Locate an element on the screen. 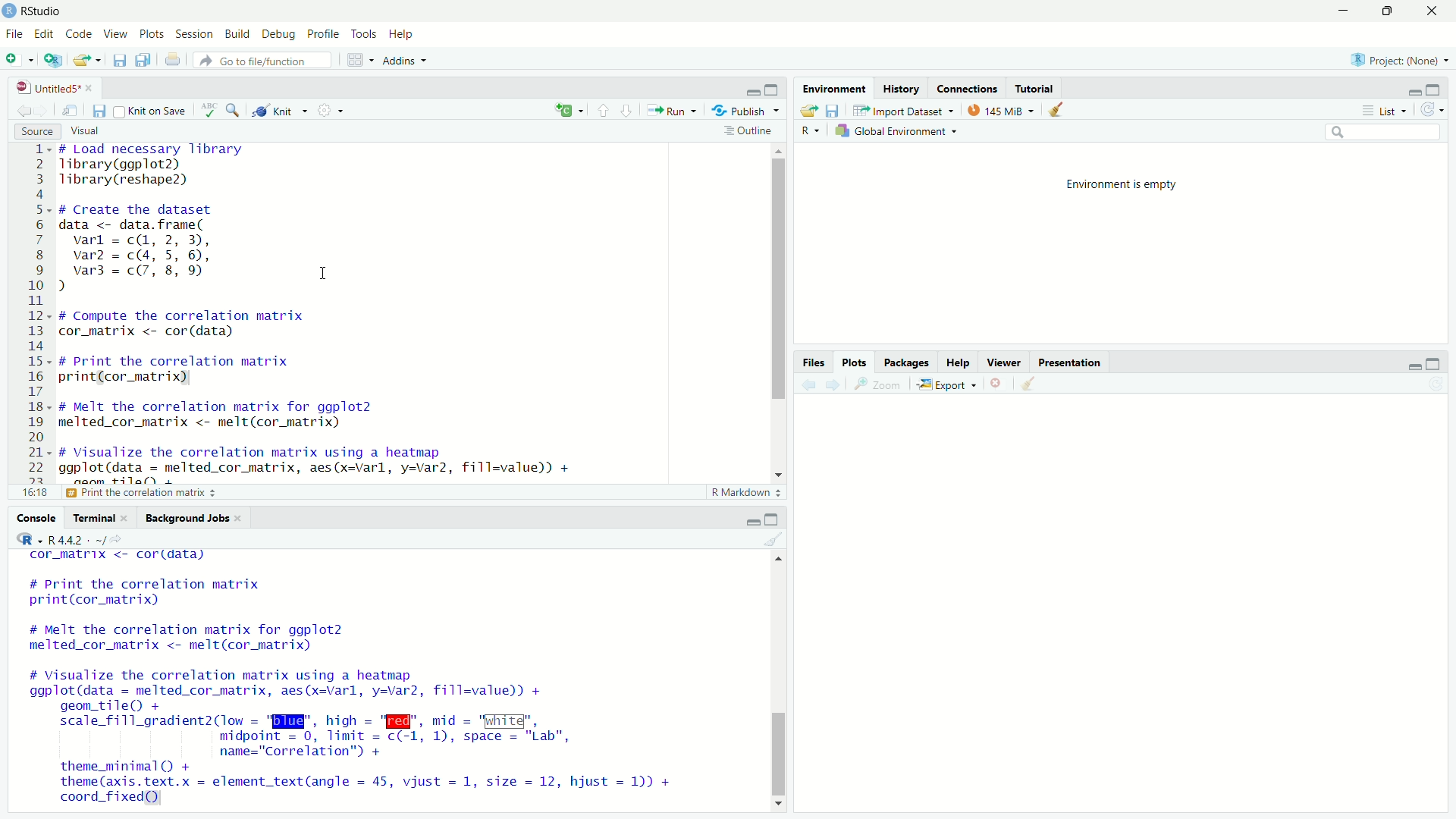  previous plot is located at coordinates (807, 384).